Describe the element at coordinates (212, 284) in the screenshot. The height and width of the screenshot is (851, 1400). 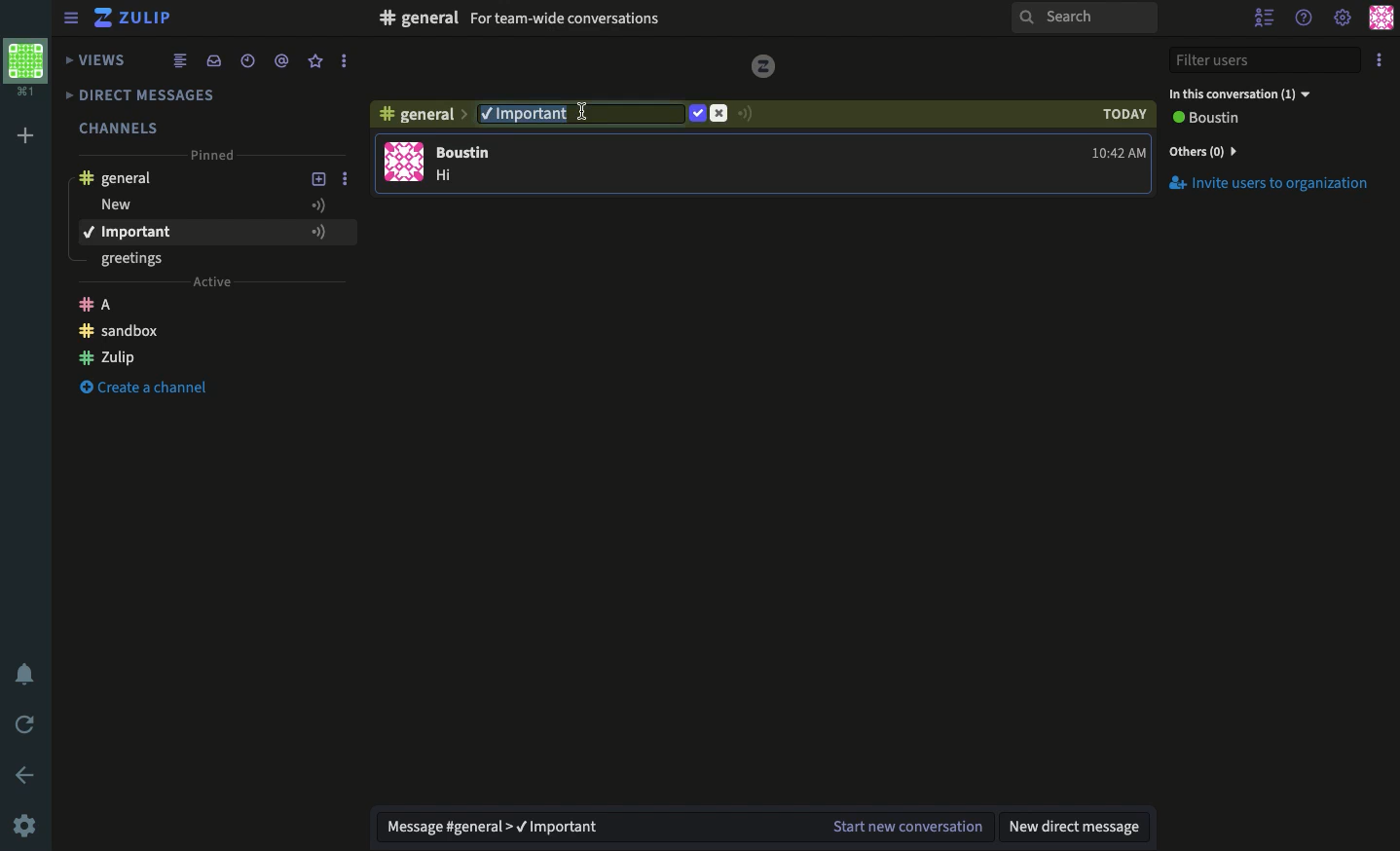
I see `Active` at that location.